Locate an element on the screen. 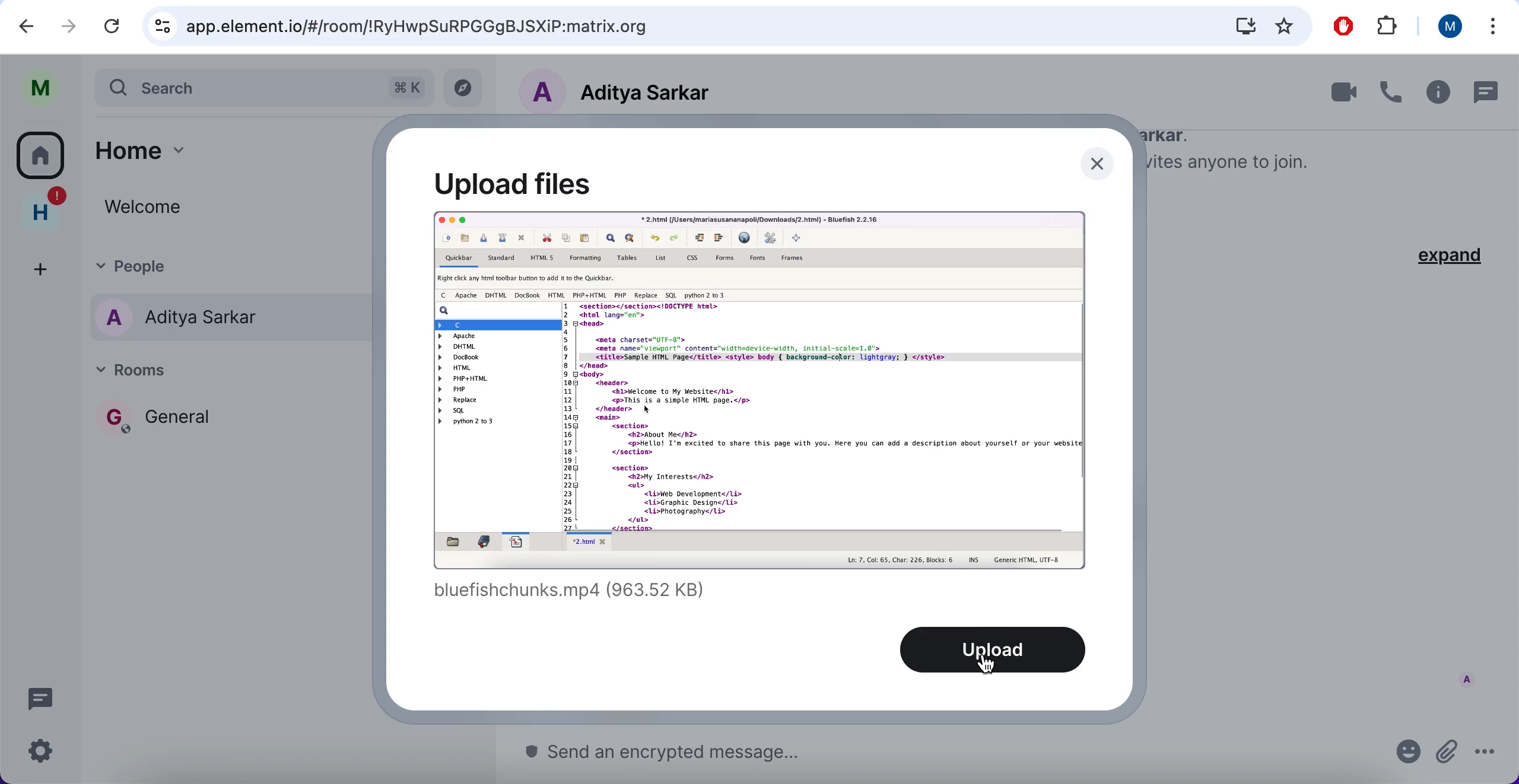 The width and height of the screenshot is (1519, 784). undo is located at coordinates (32, 26).